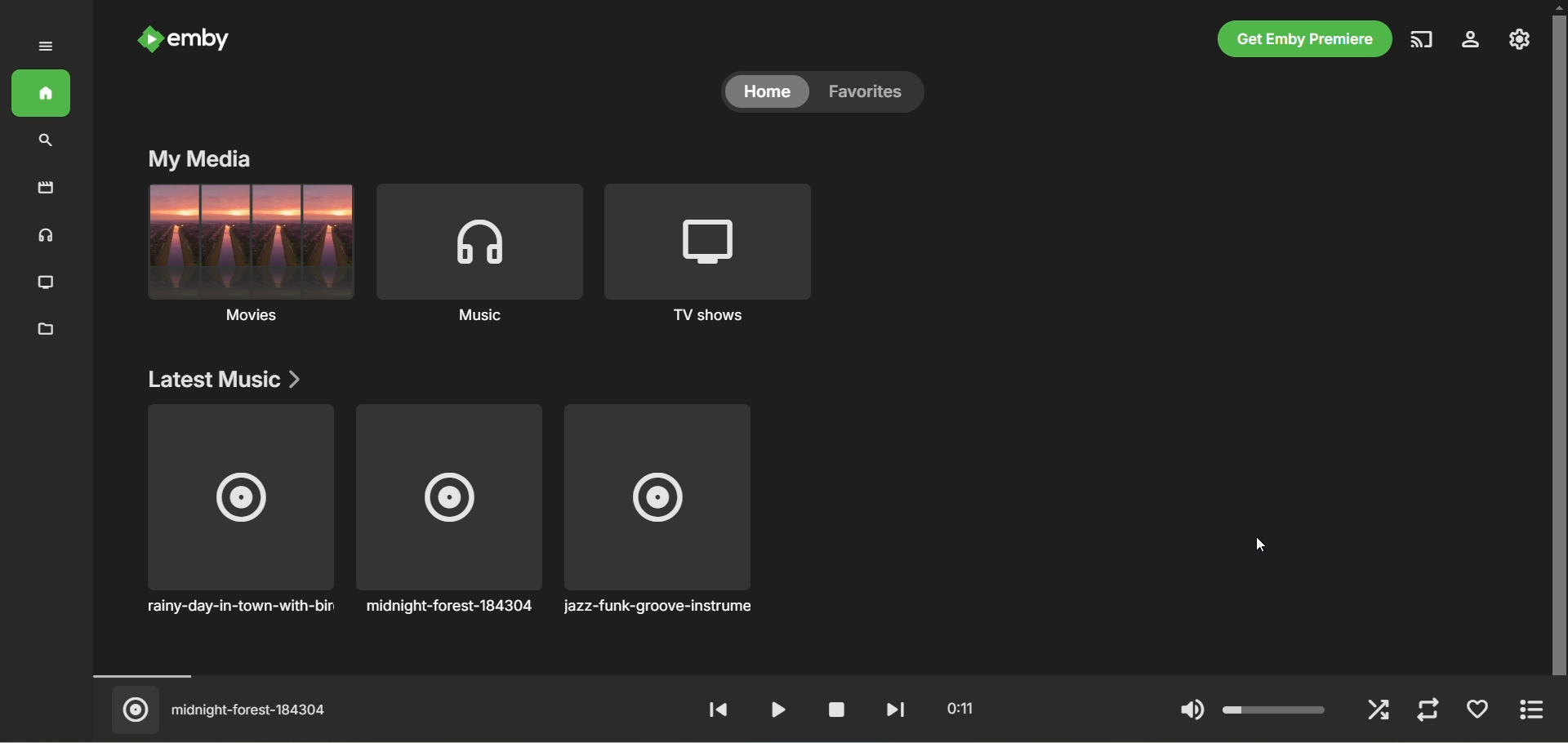  Describe the element at coordinates (705, 253) in the screenshot. I see `TV shows` at that location.